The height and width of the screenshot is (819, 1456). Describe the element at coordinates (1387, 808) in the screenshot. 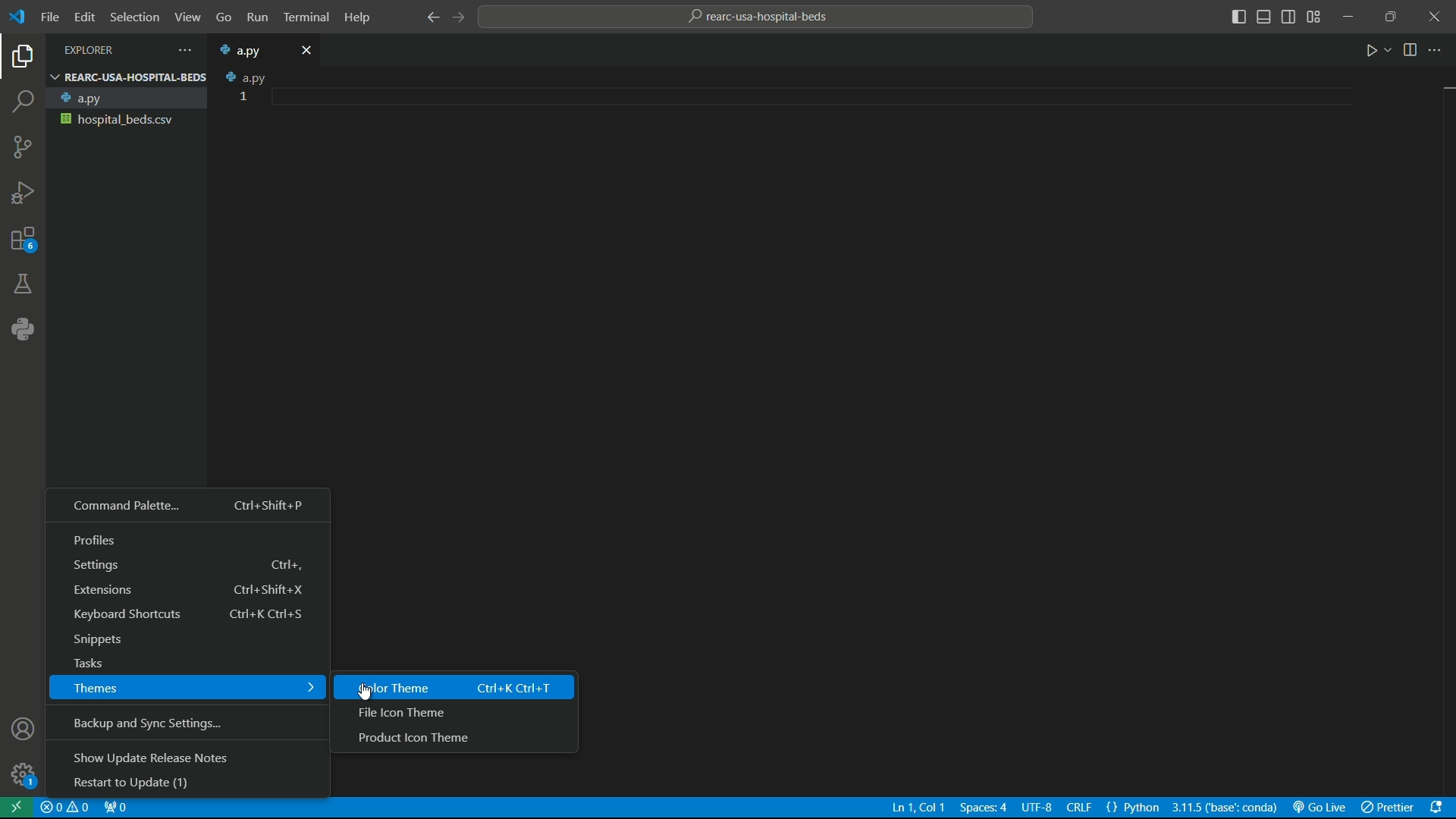

I see `prettier extensions` at that location.